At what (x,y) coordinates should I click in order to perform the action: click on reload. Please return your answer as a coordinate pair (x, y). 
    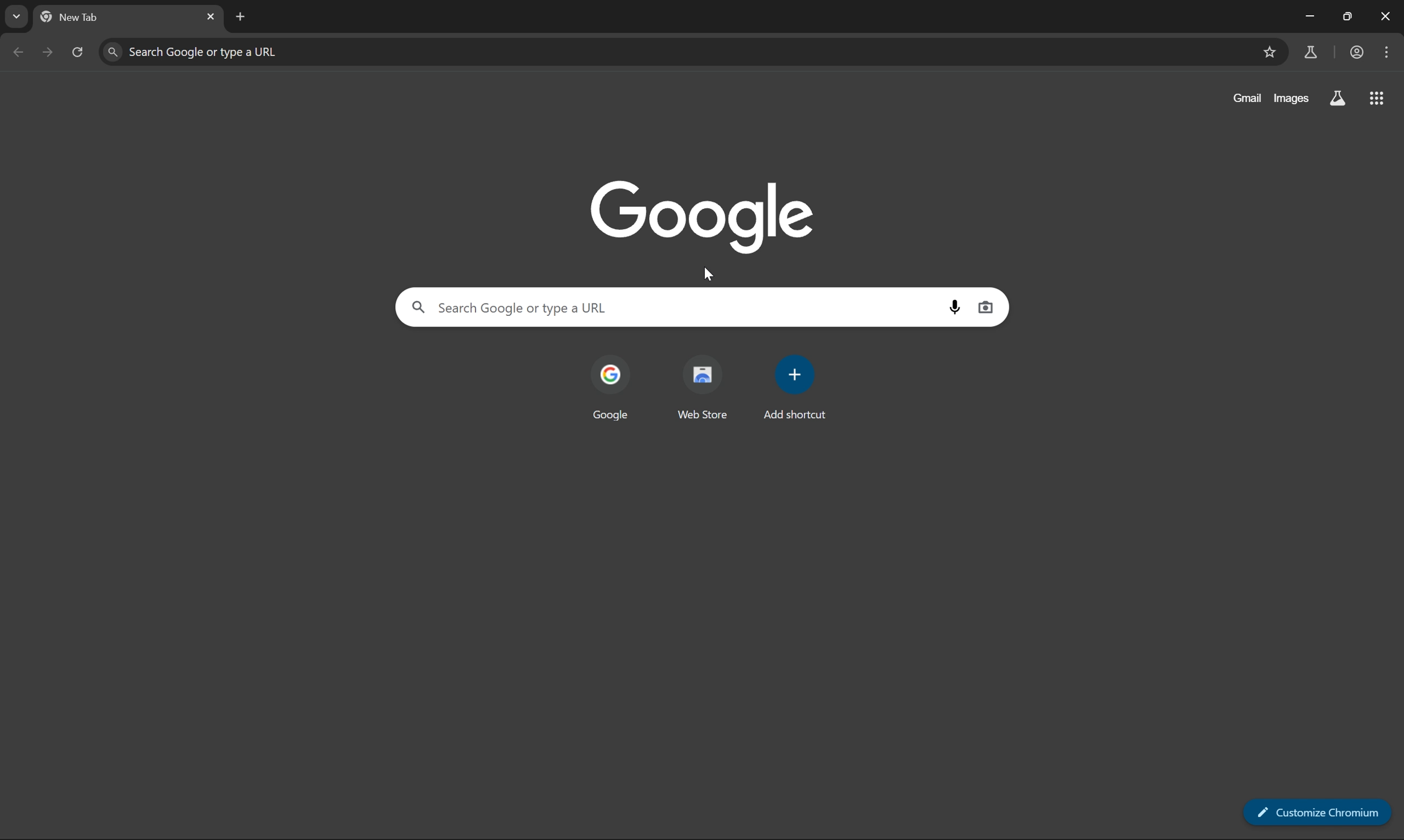
    Looking at the image, I should click on (81, 51).